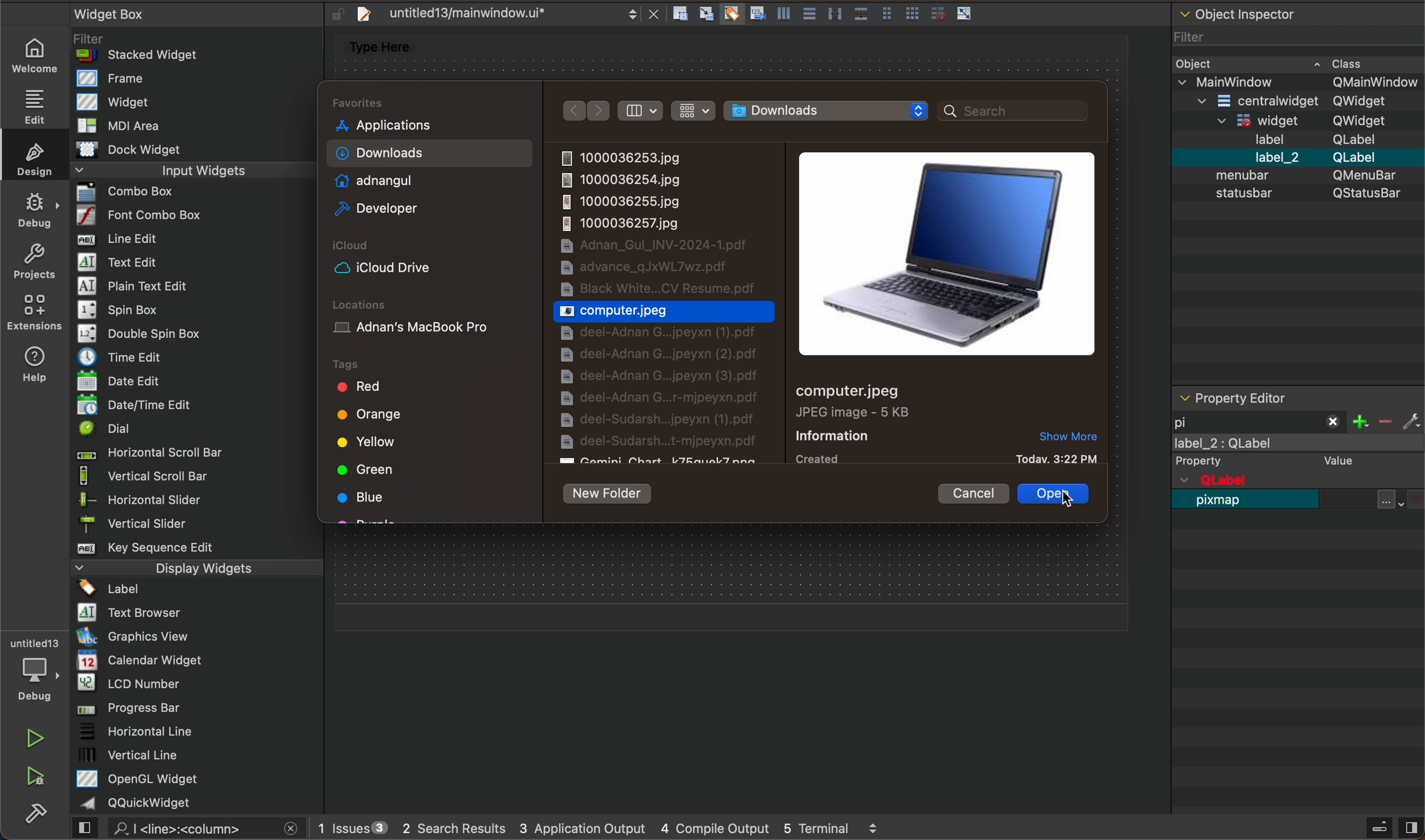 The width and height of the screenshot is (1425, 840). I want to click on filetr pixmap, so click(1260, 420).